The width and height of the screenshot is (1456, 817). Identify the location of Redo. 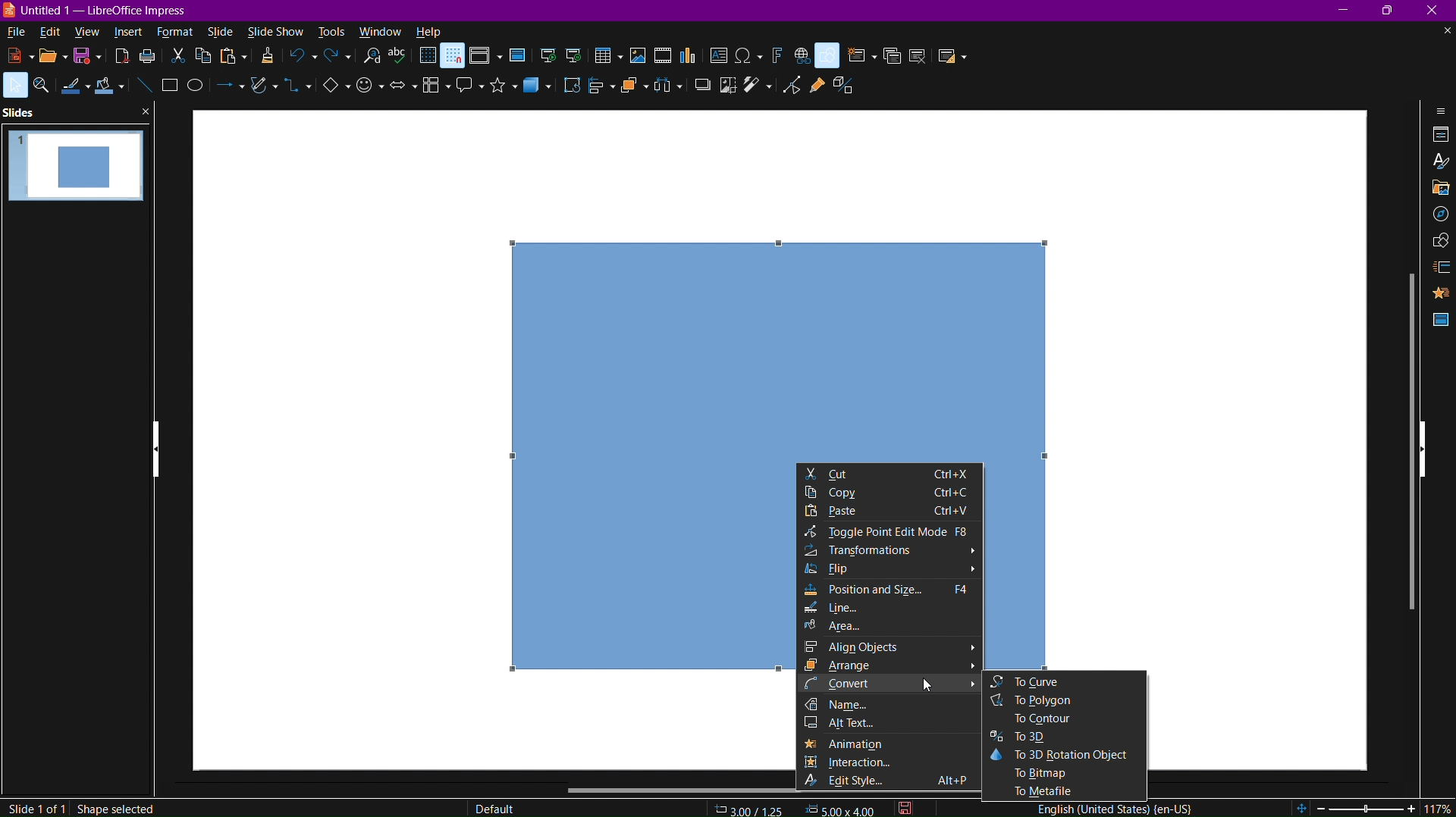
(336, 58).